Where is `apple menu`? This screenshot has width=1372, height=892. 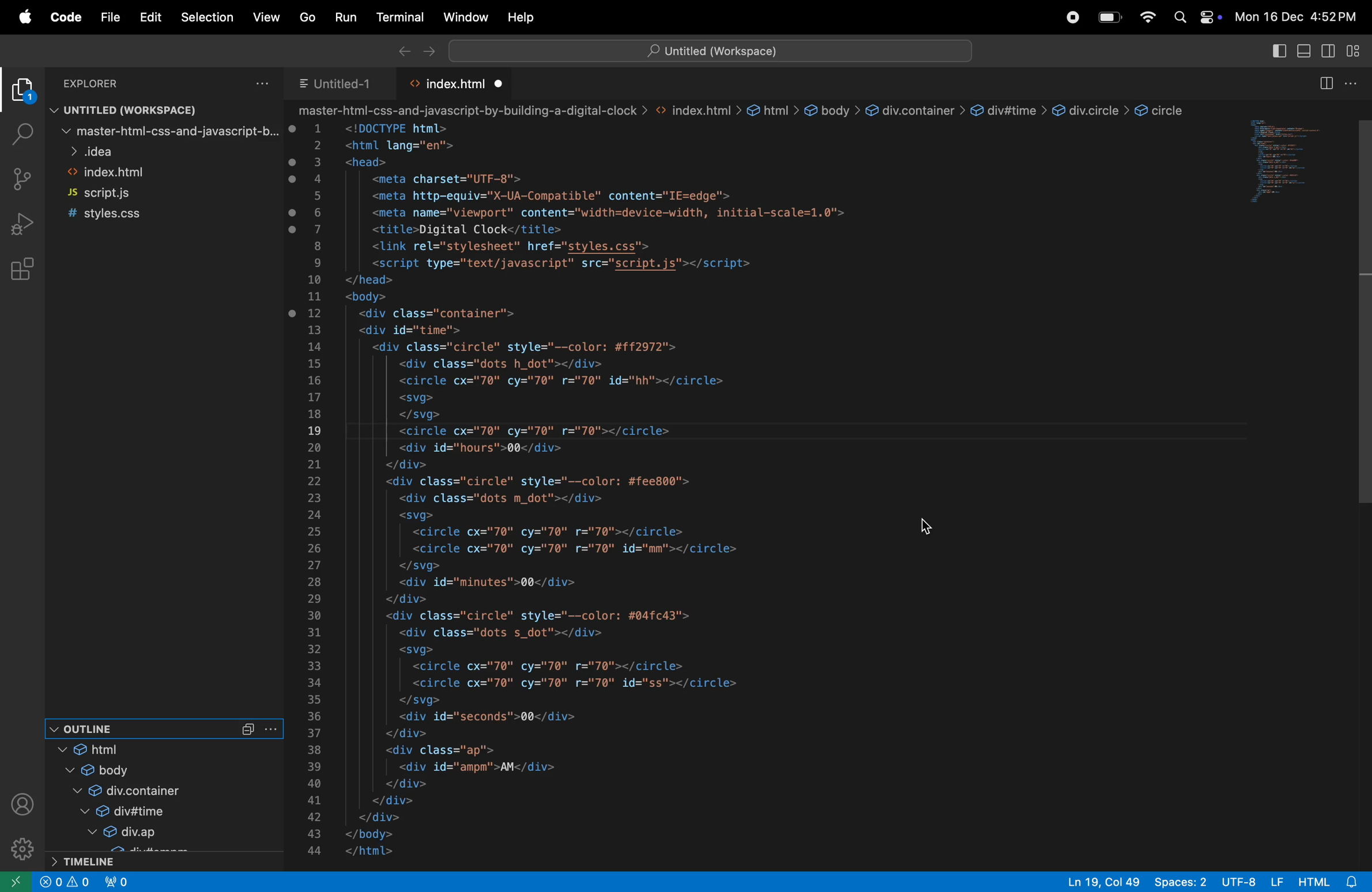
apple menu is located at coordinates (24, 17).